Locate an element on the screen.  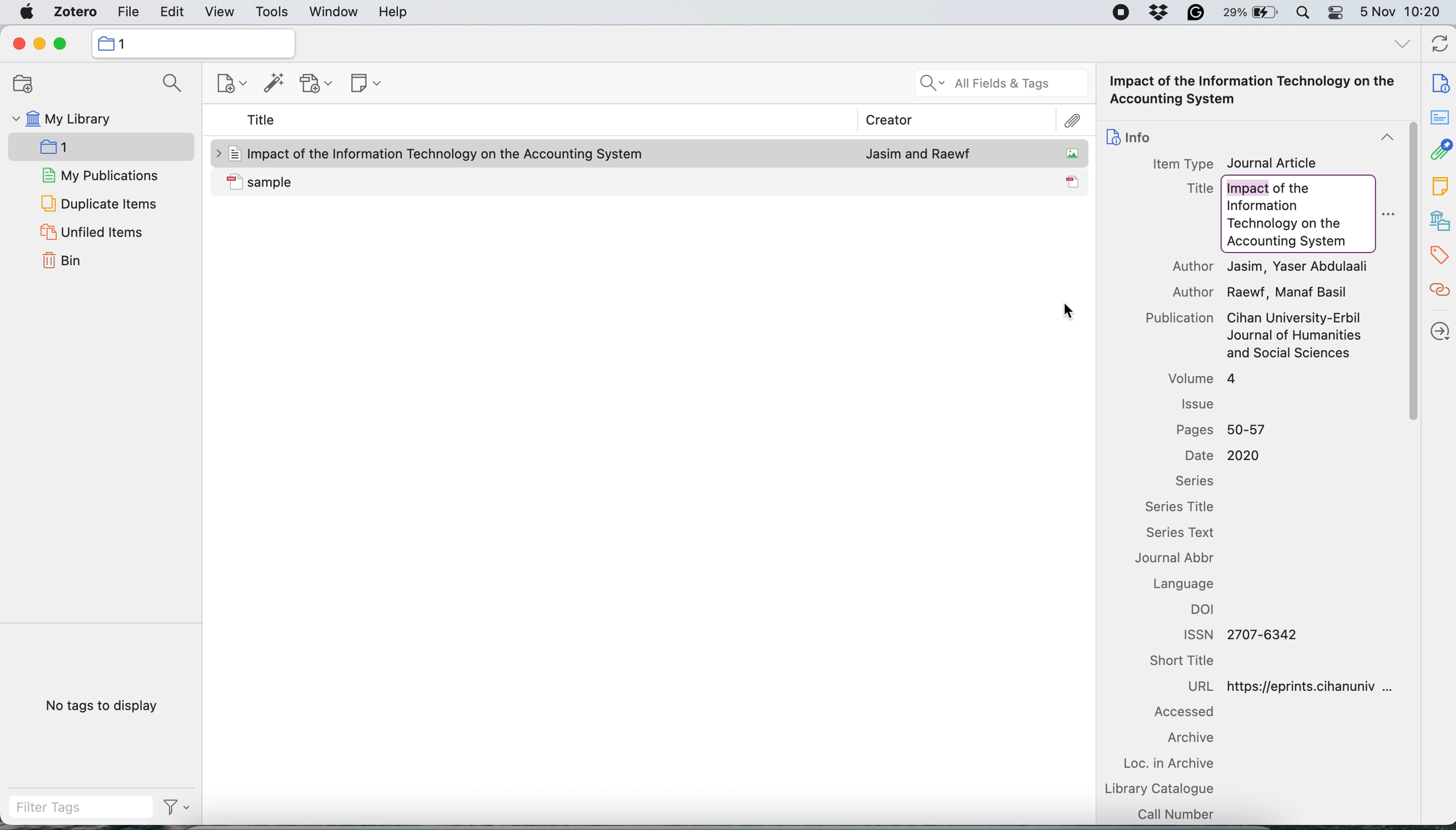
archive is located at coordinates (1190, 738).